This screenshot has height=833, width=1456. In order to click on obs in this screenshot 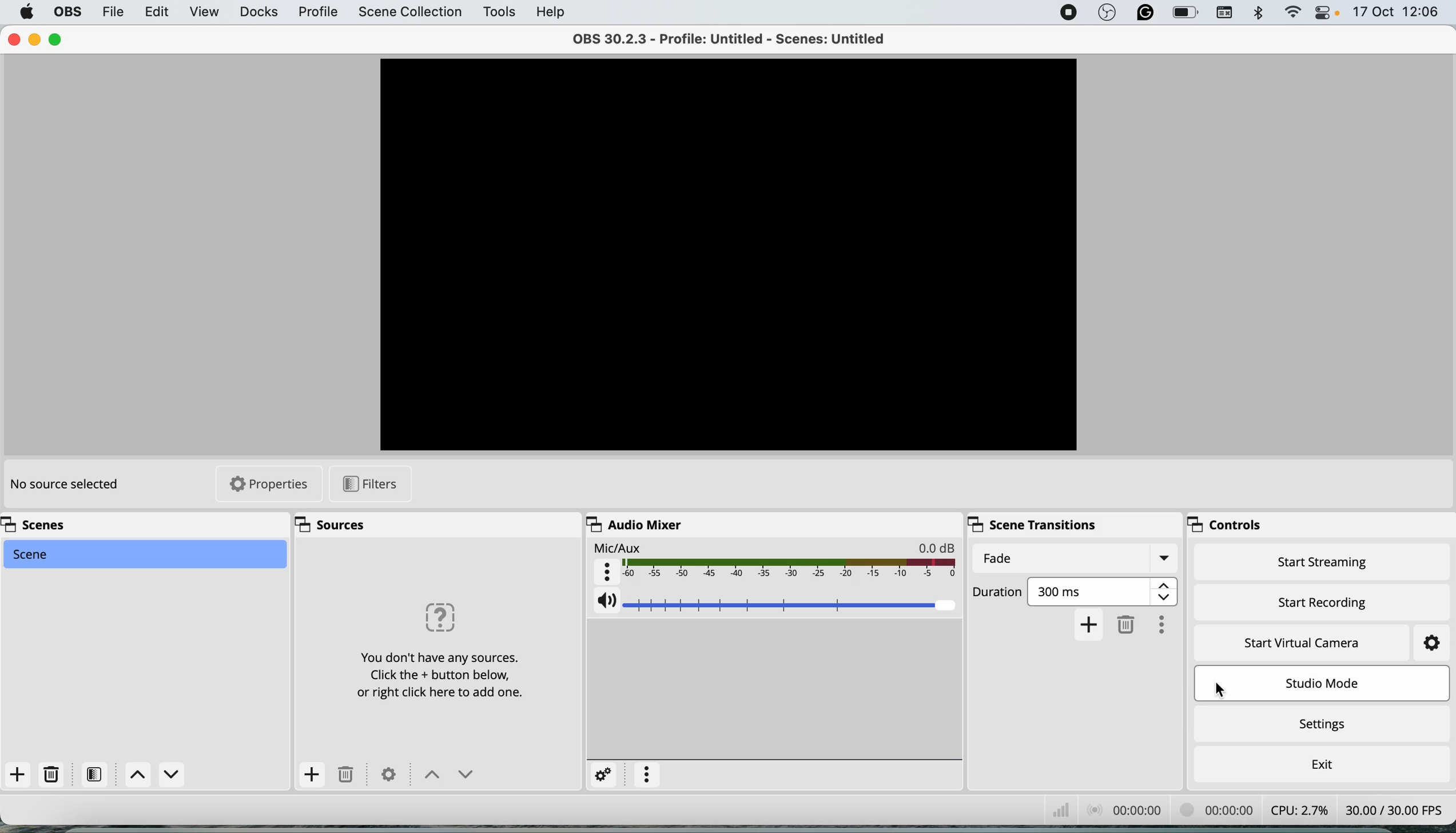, I will do `click(1109, 12)`.